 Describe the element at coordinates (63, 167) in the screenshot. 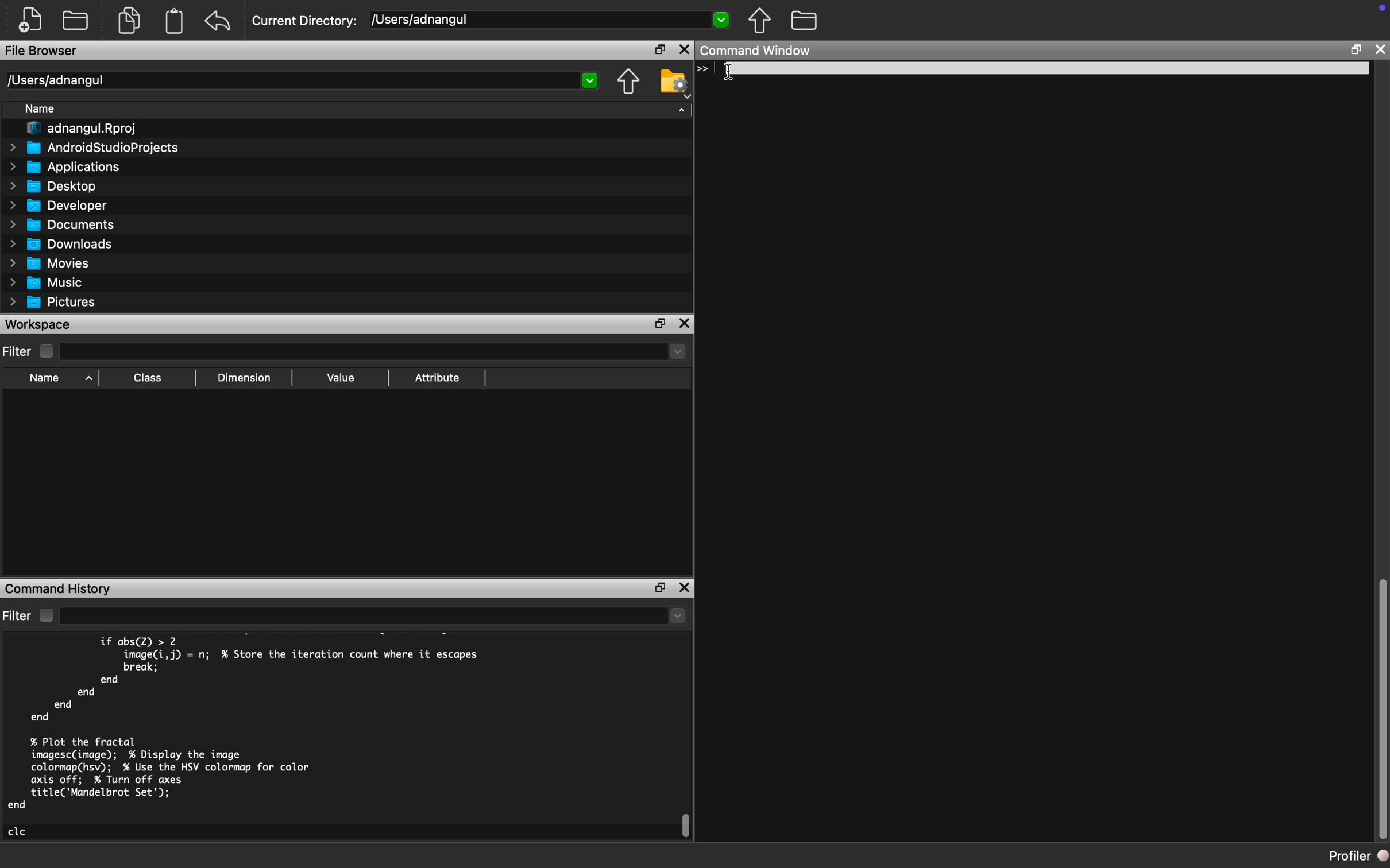

I see `Applications` at that location.